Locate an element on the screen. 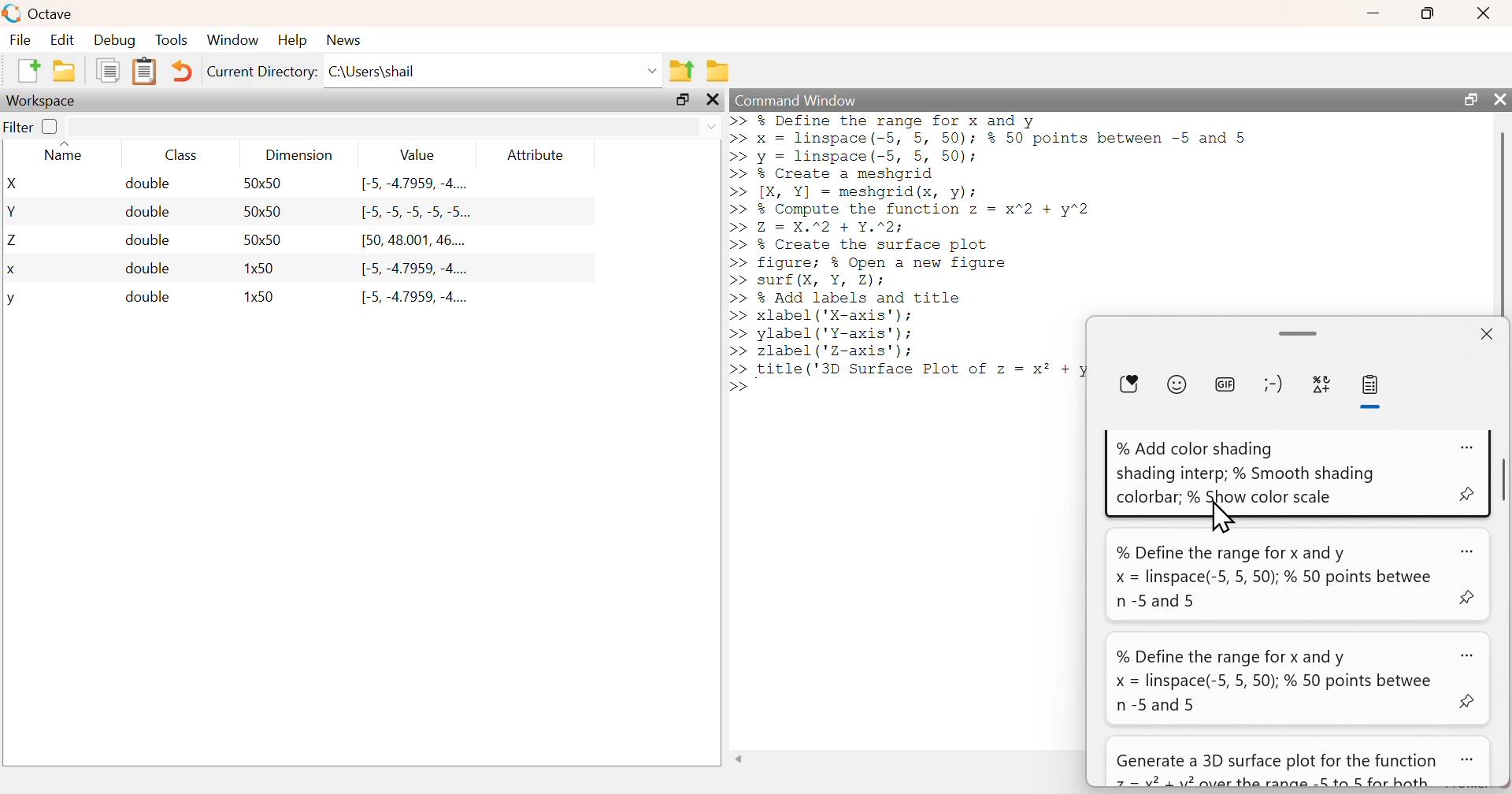  close is located at coordinates (1486, 13).